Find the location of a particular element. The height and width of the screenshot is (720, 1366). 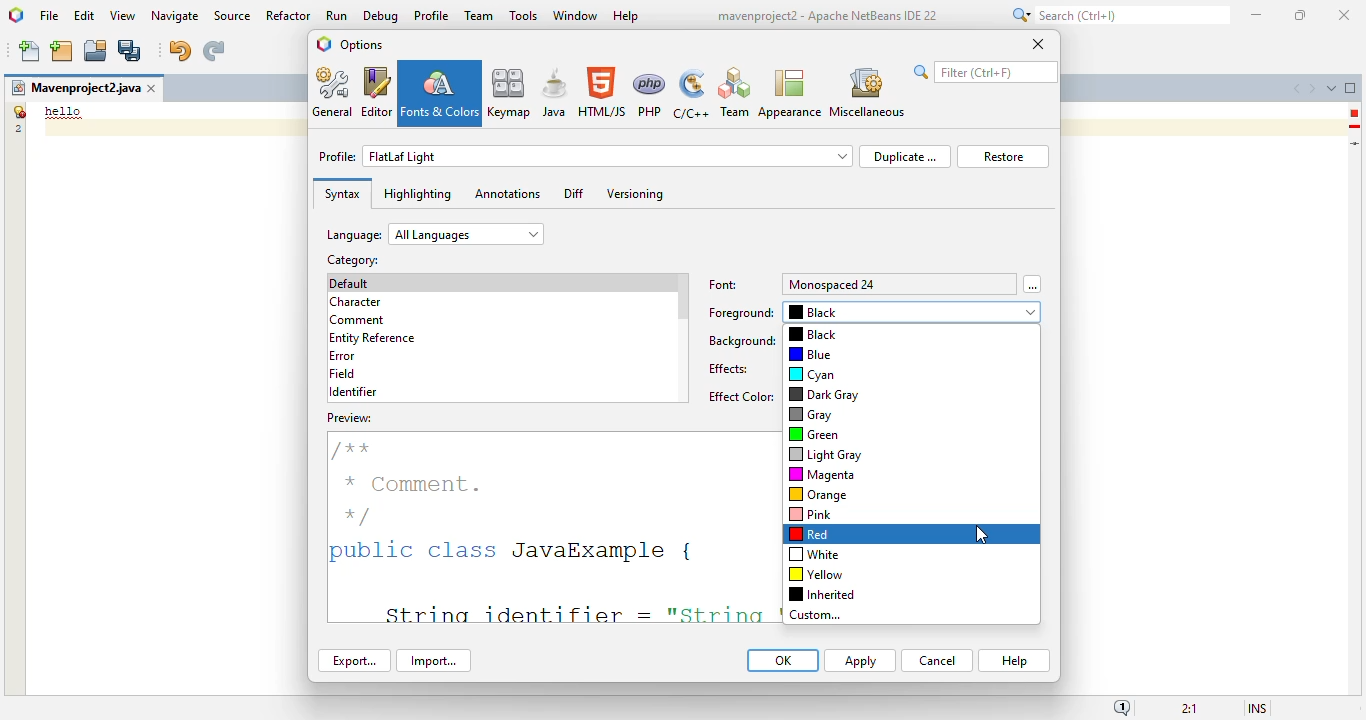

green is located at coordinates (814, 435).